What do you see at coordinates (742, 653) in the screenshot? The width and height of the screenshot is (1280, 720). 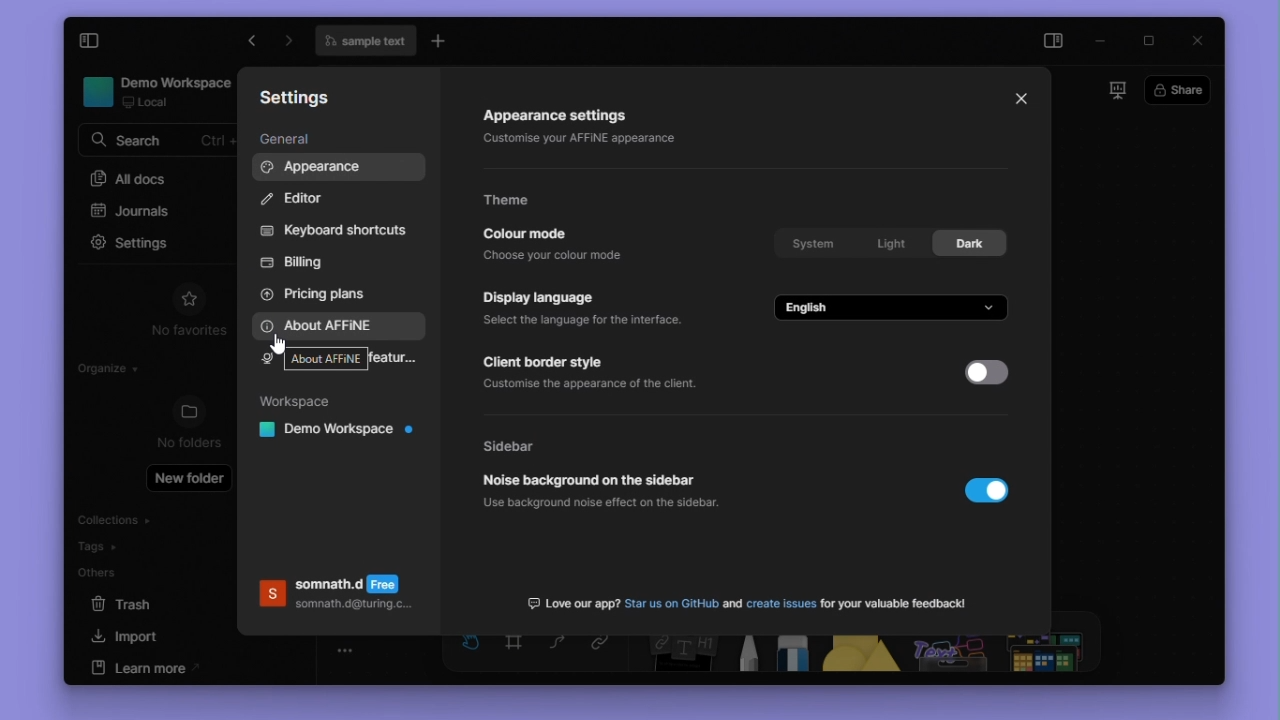 I see `Pen` at bounding box center [742, 653].